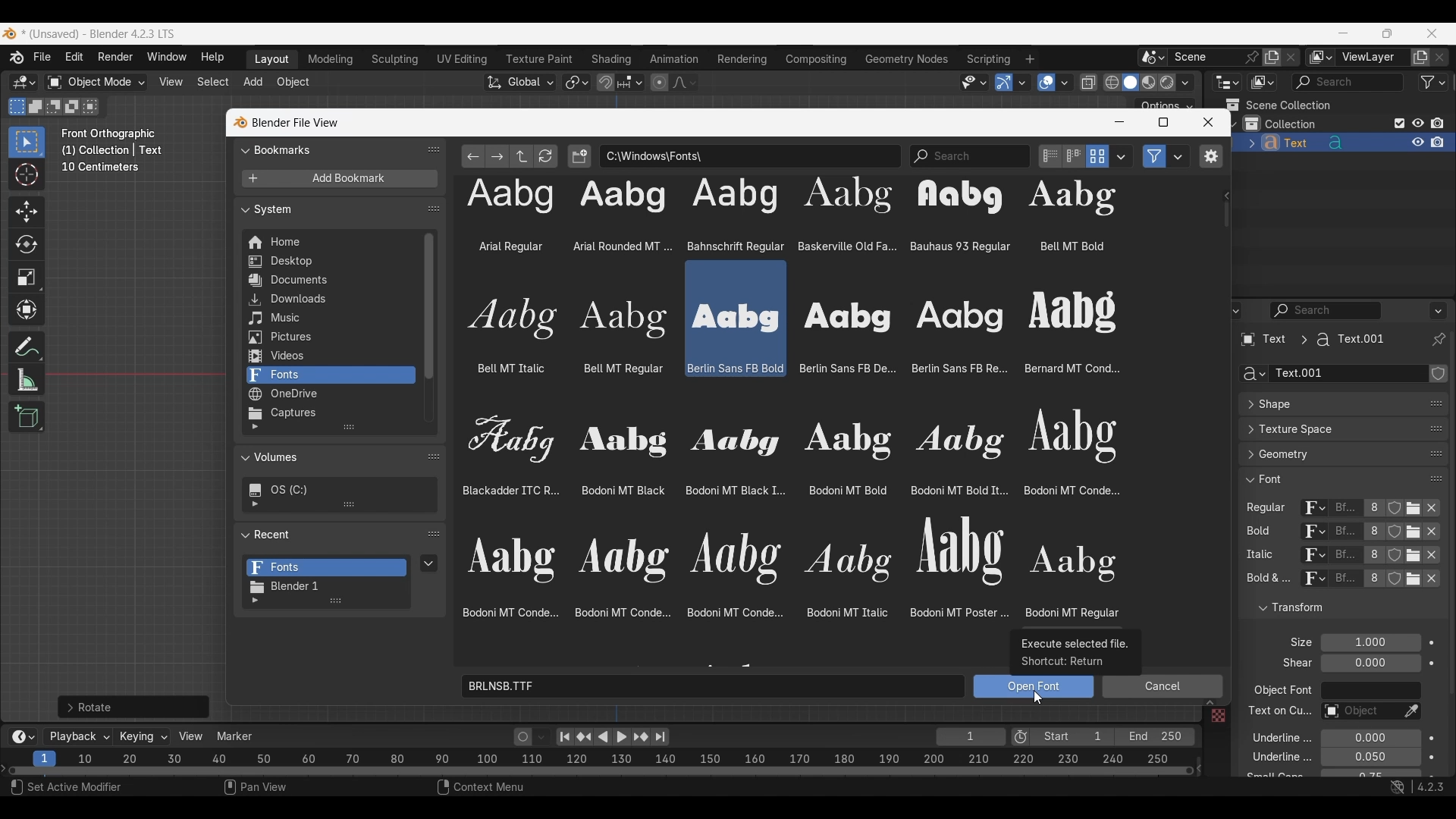 The width and height of the screenshot is (1456, 819). I want to click on Browse scene to be linked, so click(1153, 58).